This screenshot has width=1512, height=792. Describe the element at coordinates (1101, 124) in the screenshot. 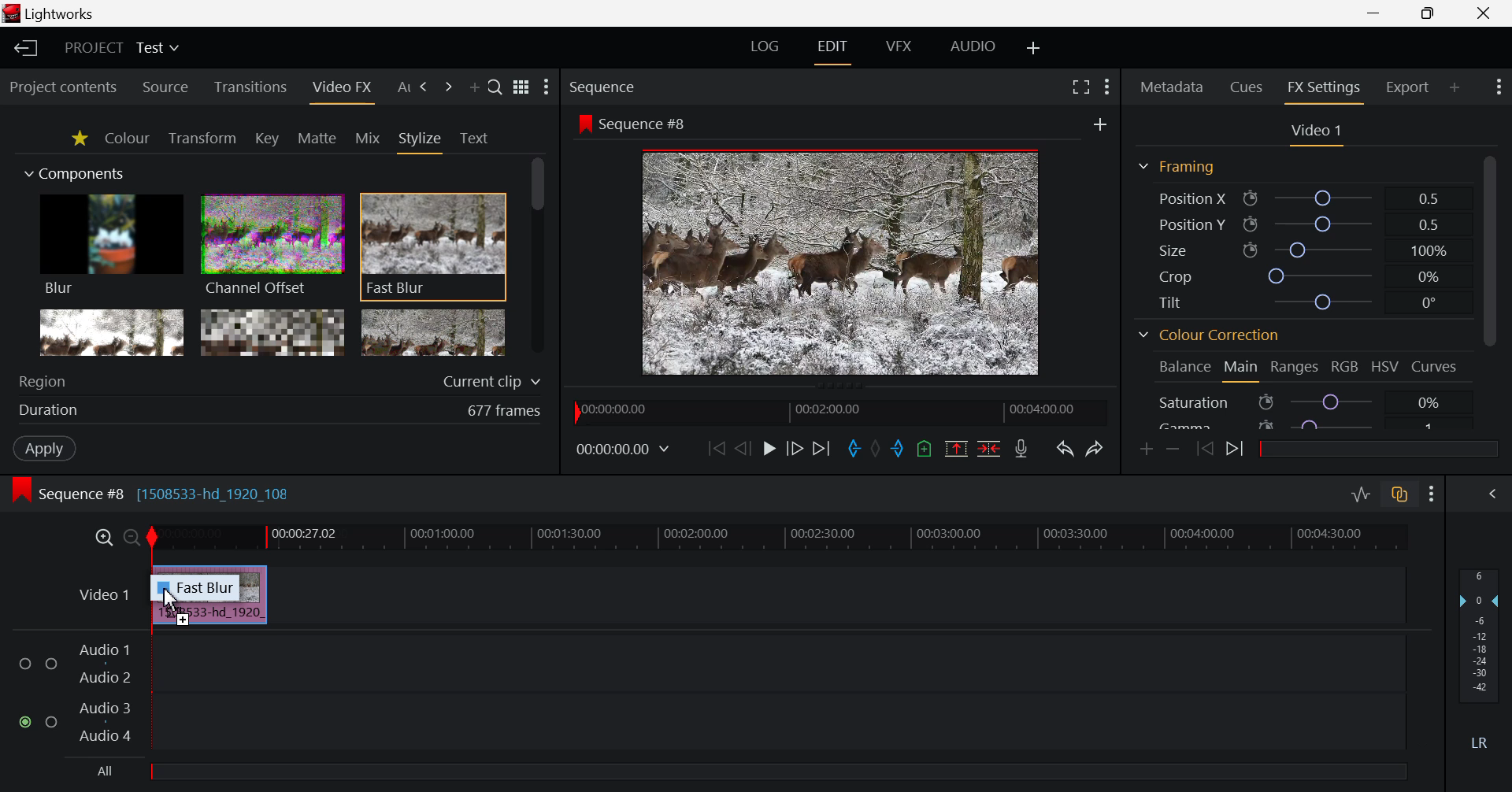

I see `Add` at that location.